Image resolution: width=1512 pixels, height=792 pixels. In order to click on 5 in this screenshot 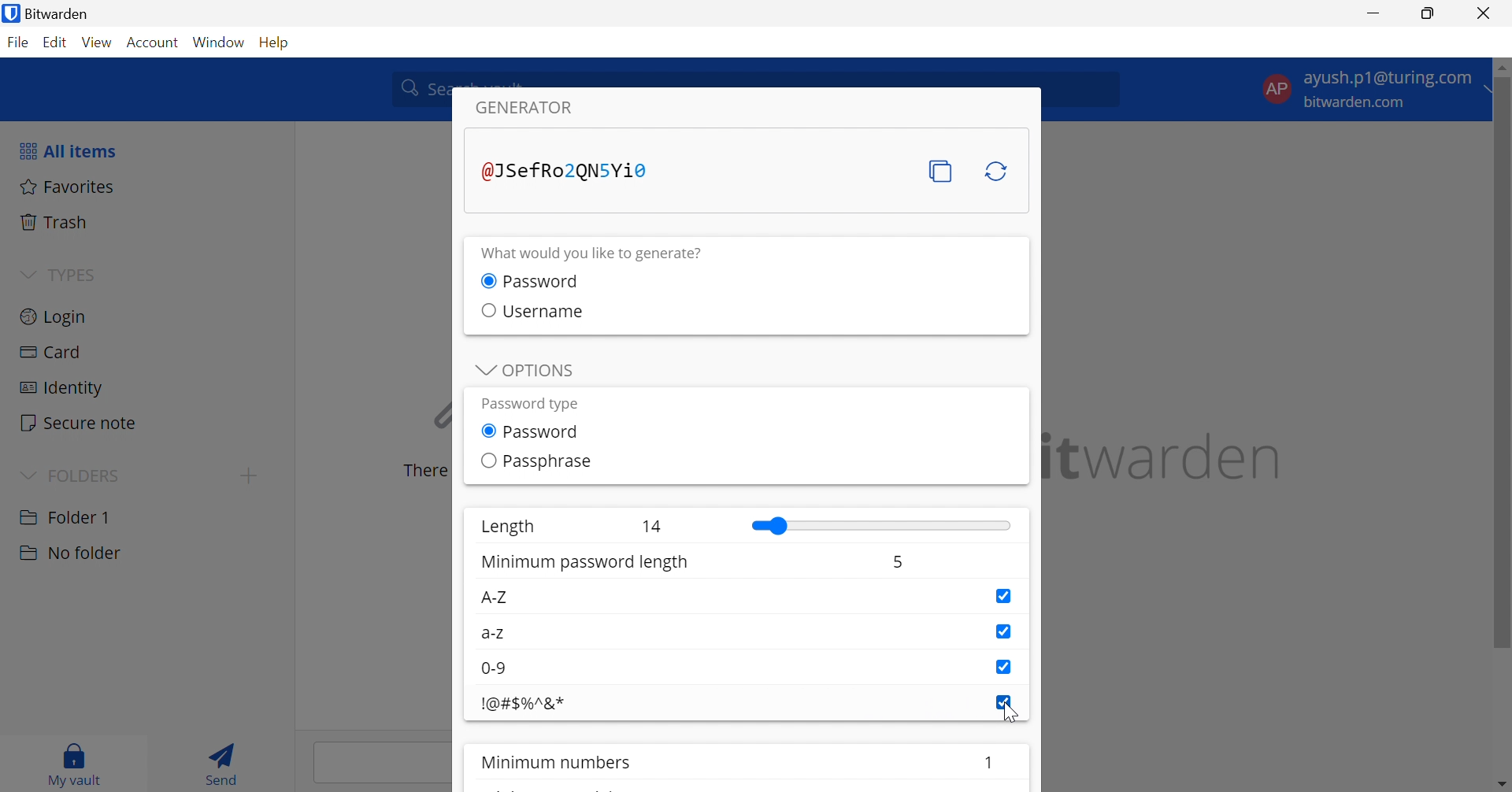, I will do `click(896, 565)`.